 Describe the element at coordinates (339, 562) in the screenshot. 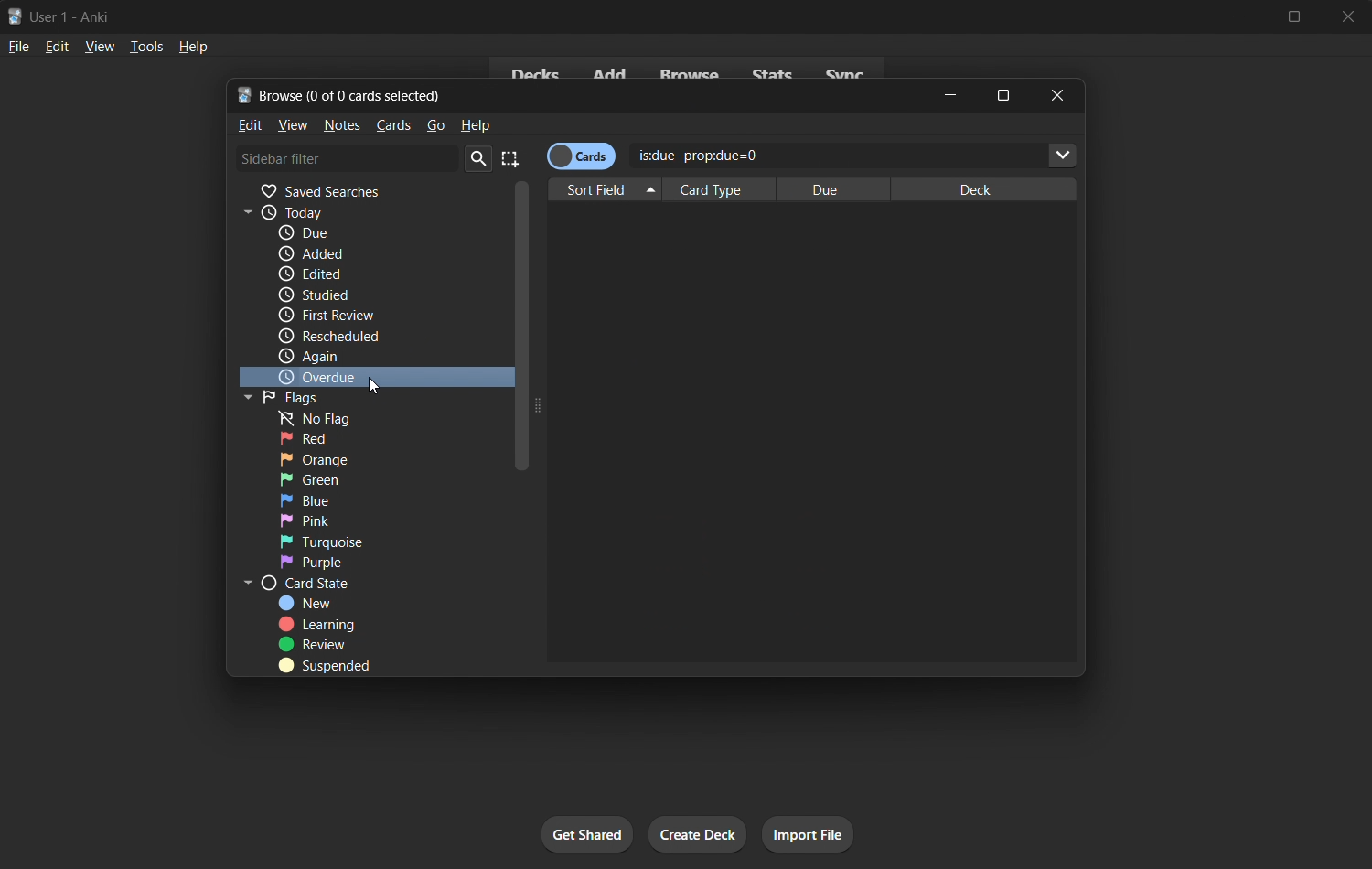

I see `purple` at that location.